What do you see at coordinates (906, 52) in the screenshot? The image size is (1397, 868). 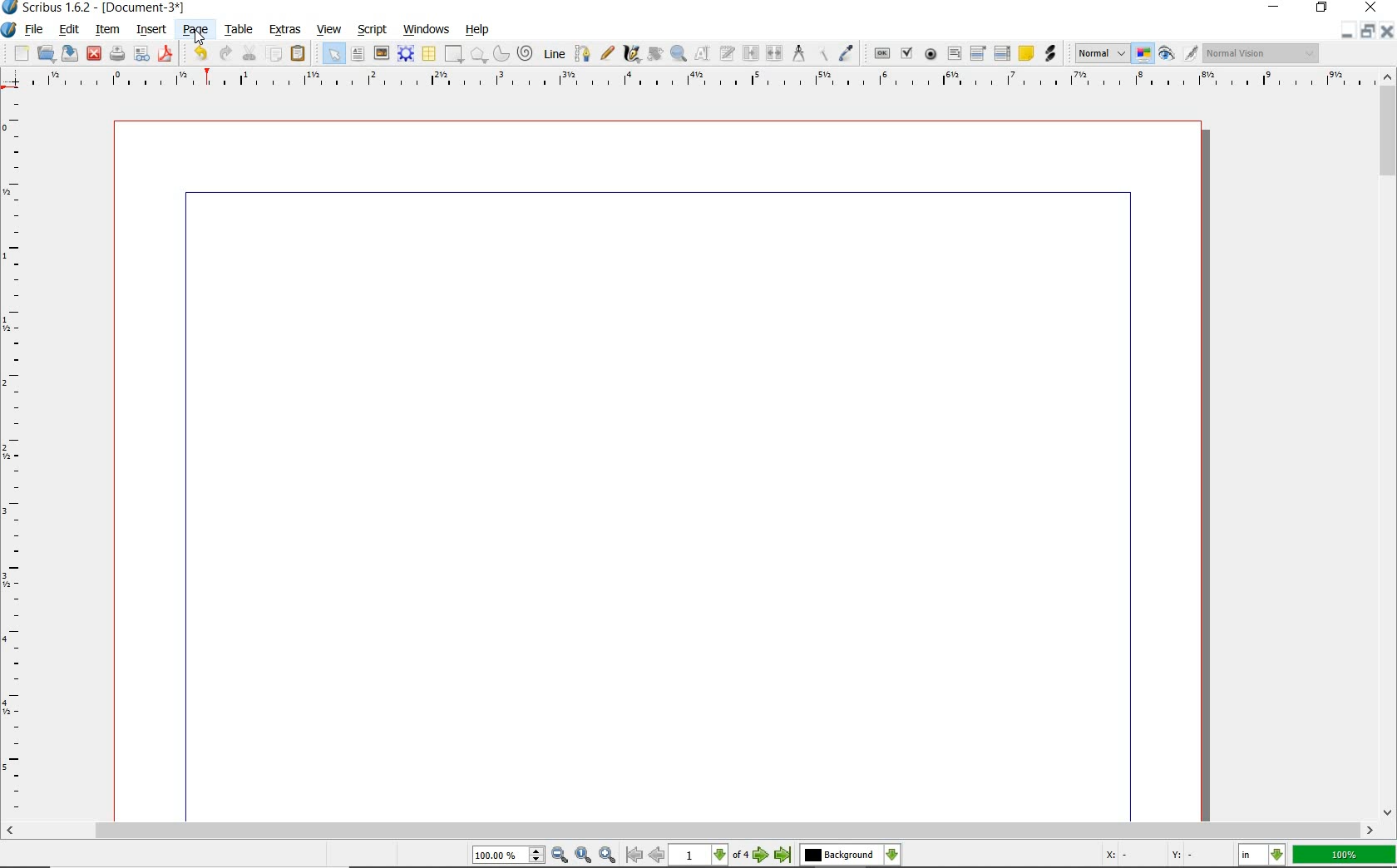 I see `pdf check box` at bounding box center [906, 52].